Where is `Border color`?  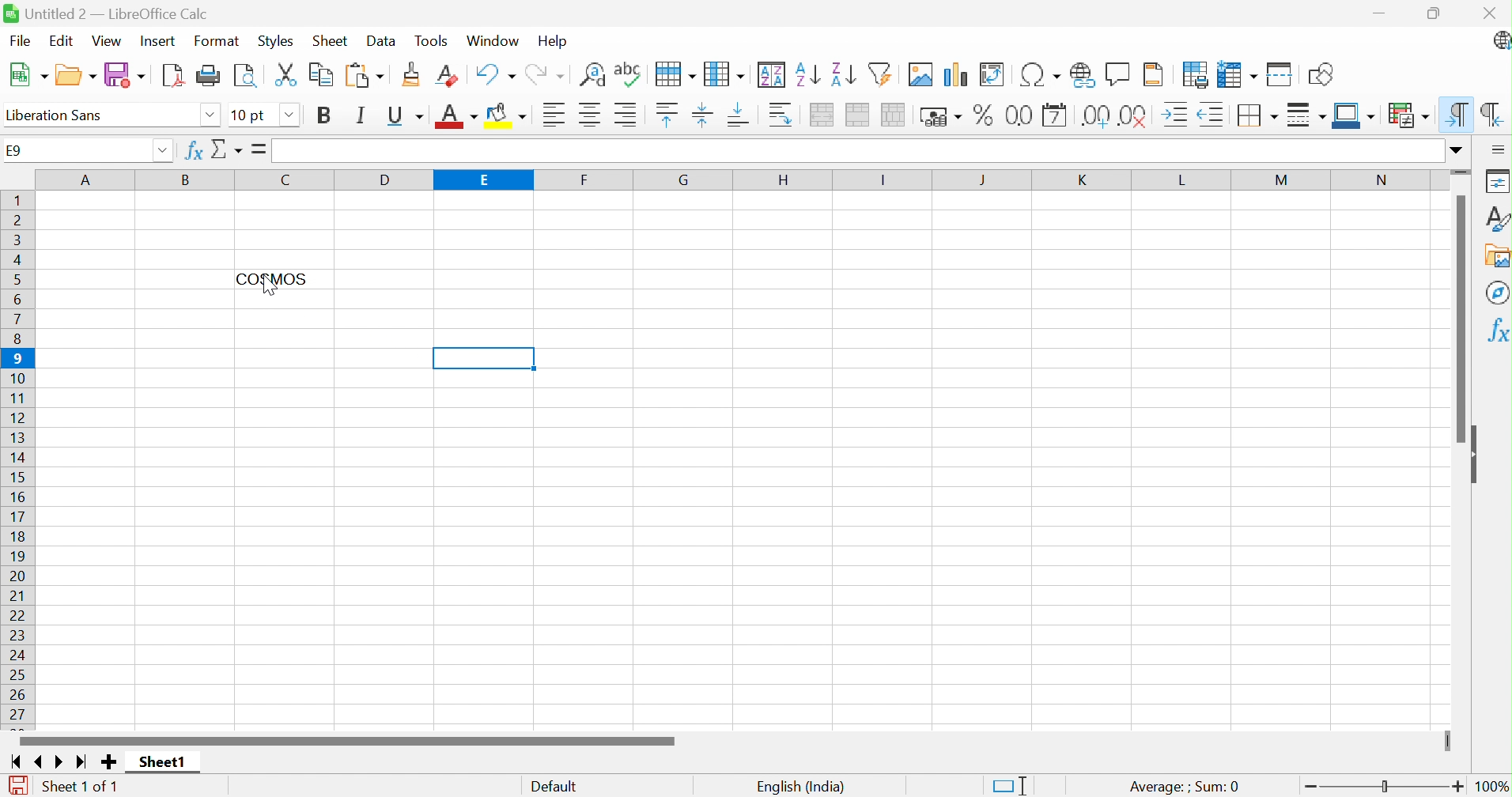 Border color is located at coordinates (1355, 117).